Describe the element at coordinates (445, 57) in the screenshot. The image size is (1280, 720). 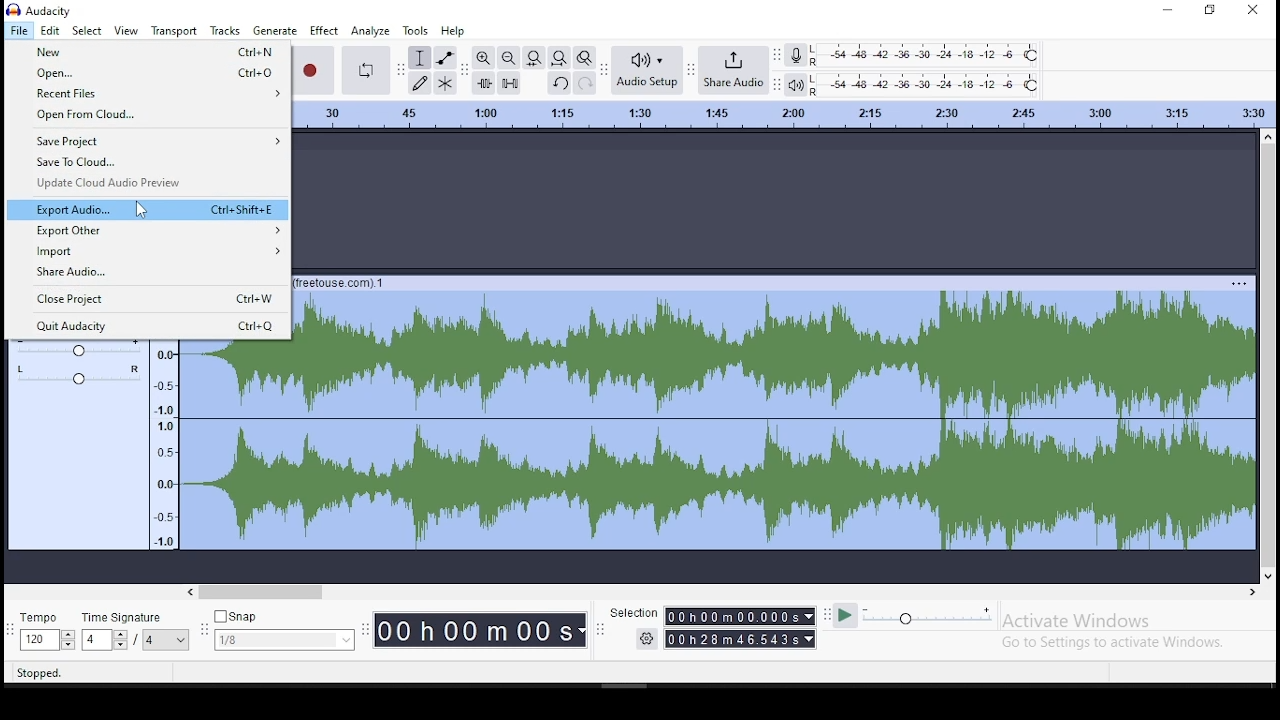
I see `envelope tool` at that location.